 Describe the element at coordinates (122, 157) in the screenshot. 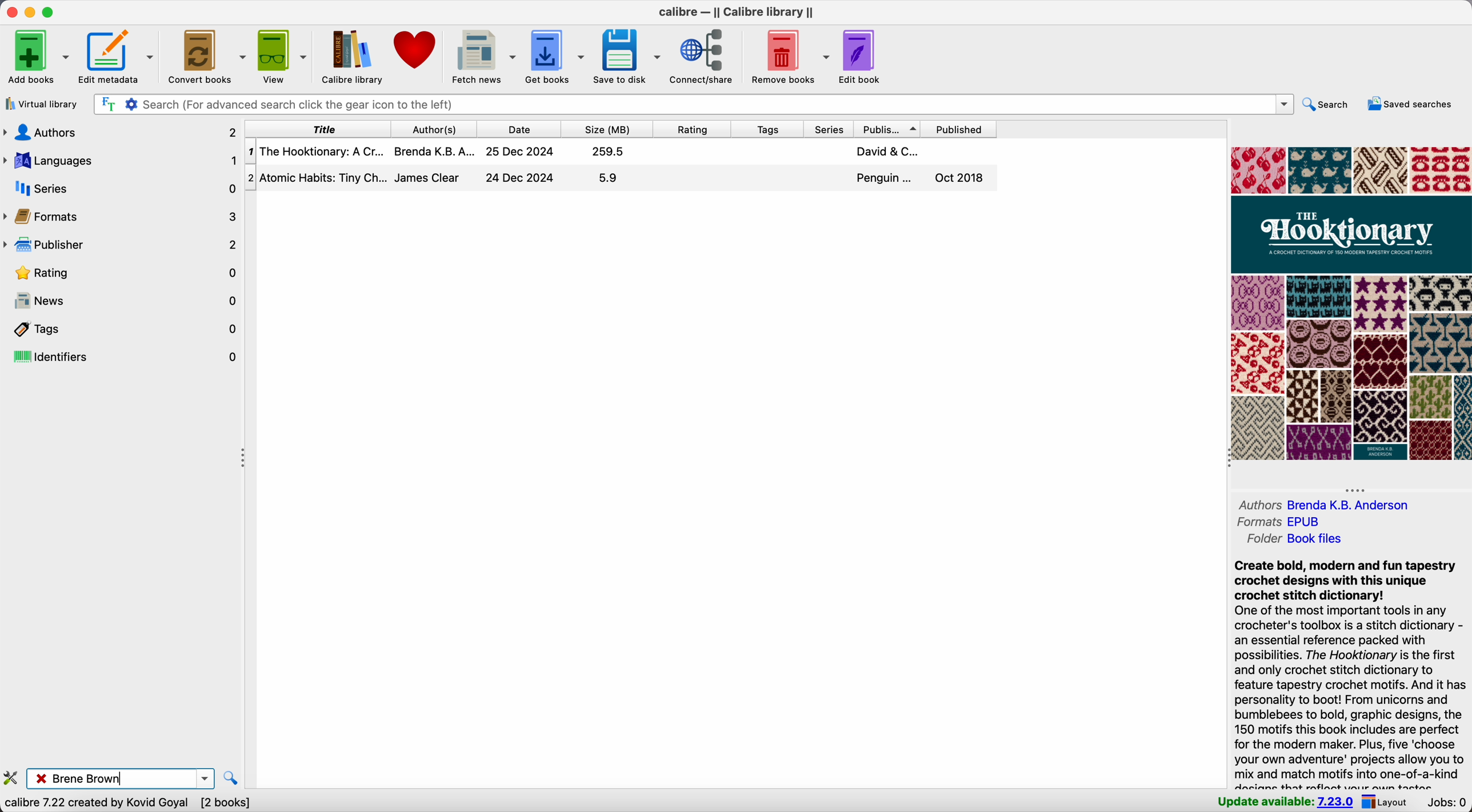

I see `languages` at that location.